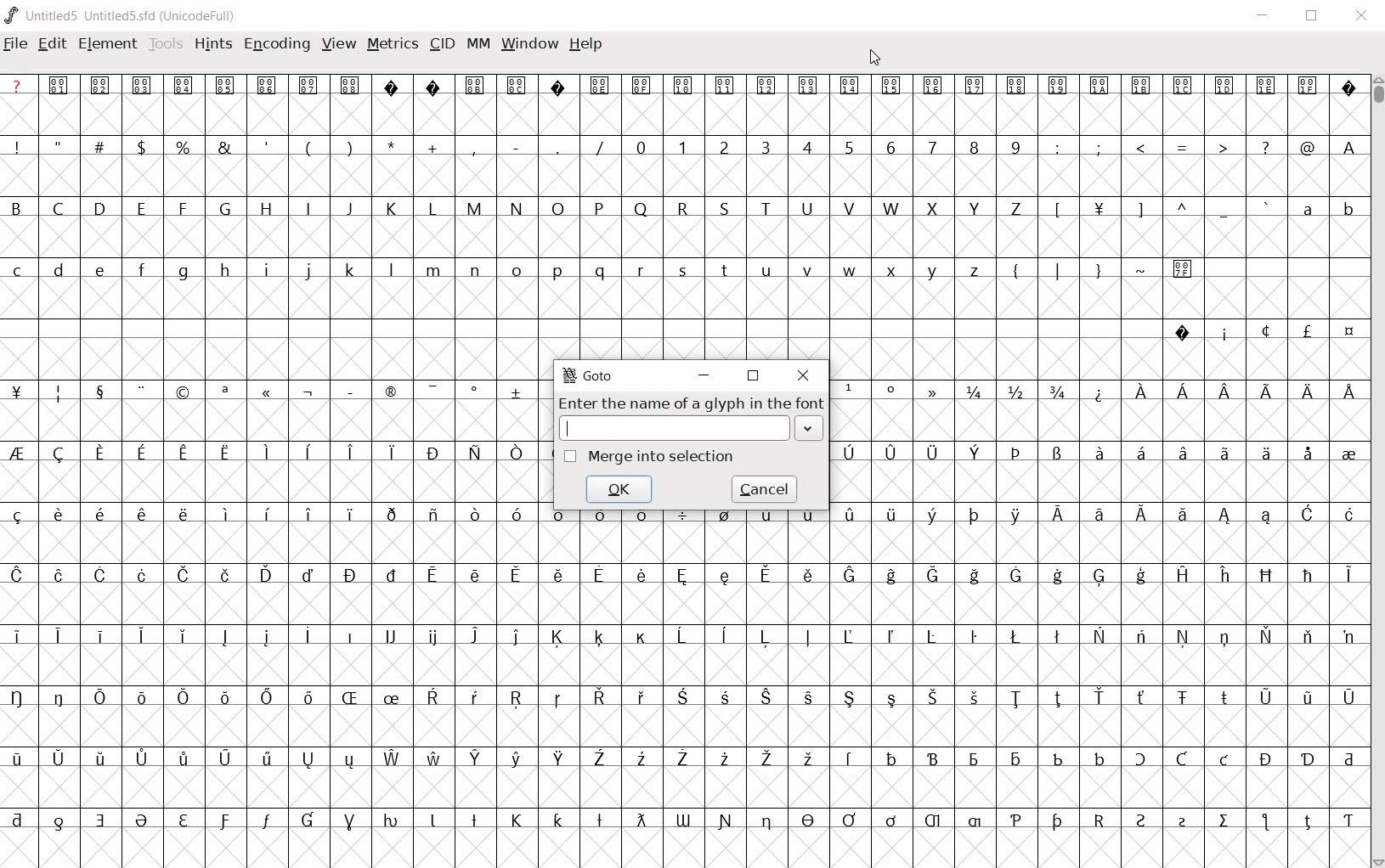 This screenshot has height=868, width=1385. What do you see at coordinates (600, 576) in the screenshot?
I see `Symbol` at bounding box center [600, 576].